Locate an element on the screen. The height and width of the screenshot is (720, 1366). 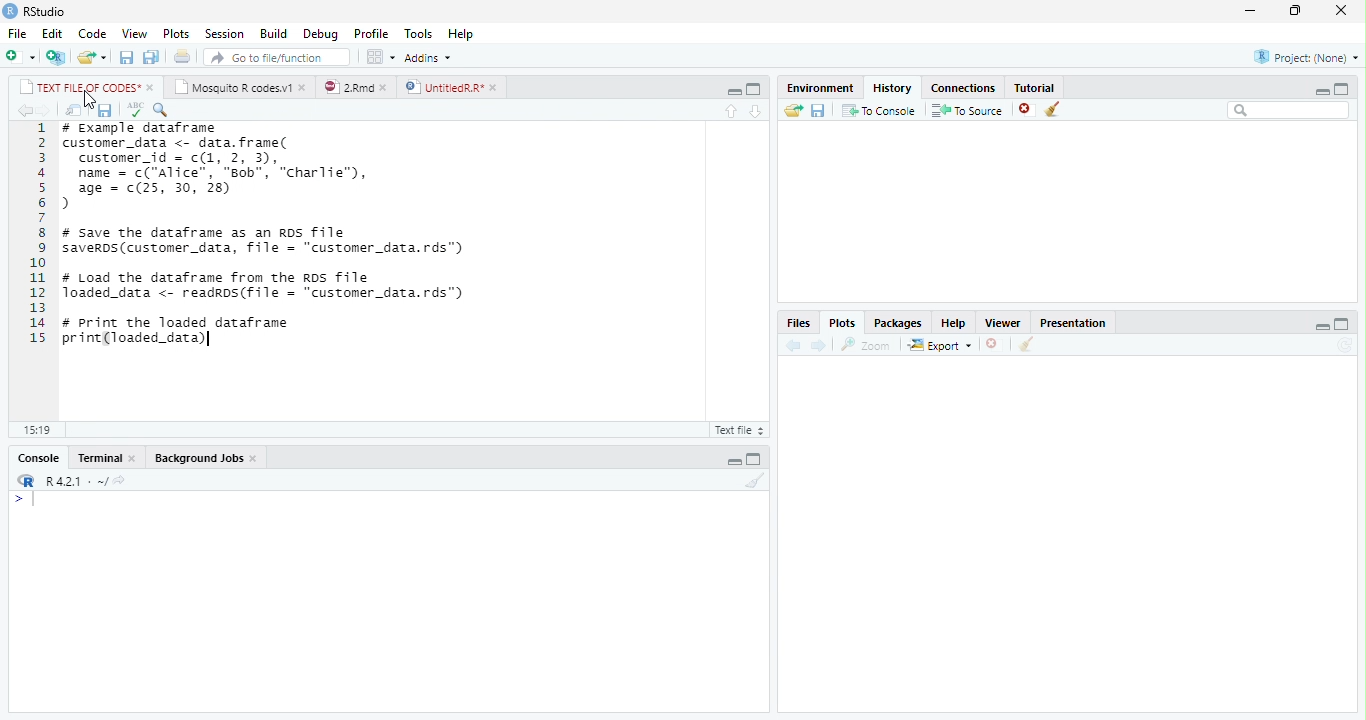
print is located at coordinates (181, 56).